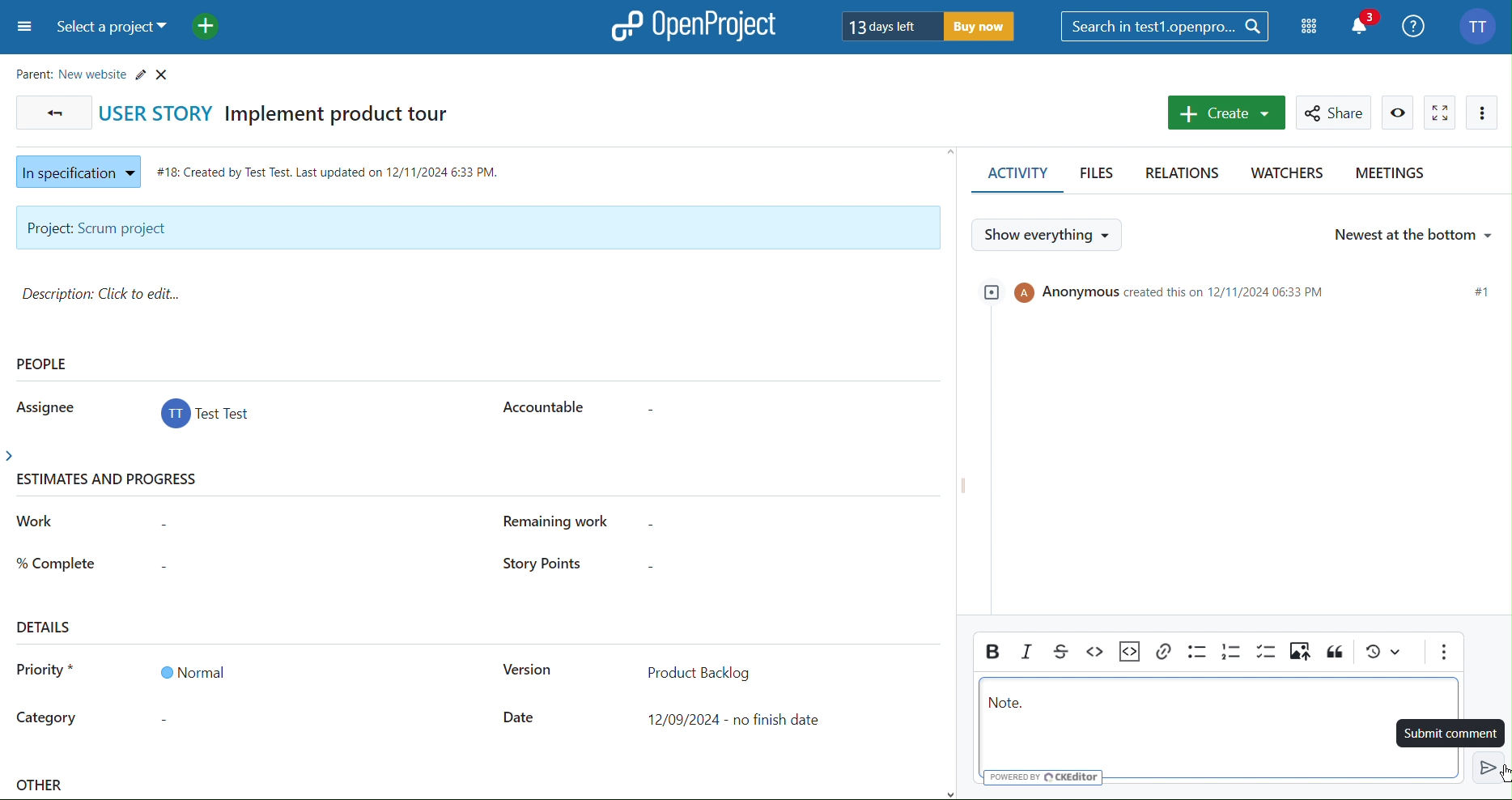 The height and width of the screenshot is (800, 1512). I want to click on View, so click(1399, 113).